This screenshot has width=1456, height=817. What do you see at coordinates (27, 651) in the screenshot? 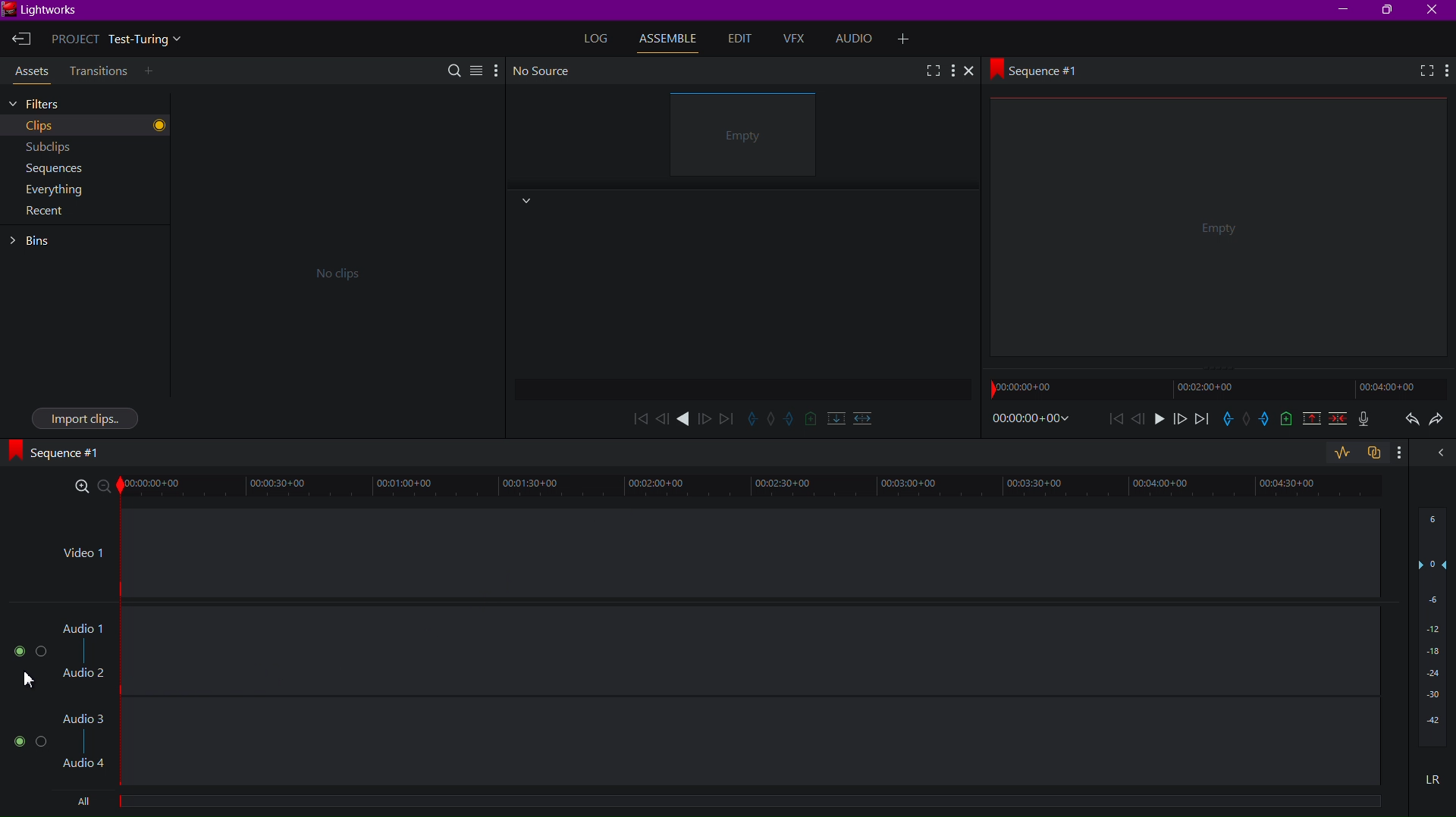
I see `Buttons` at bounding box center [27, 651].